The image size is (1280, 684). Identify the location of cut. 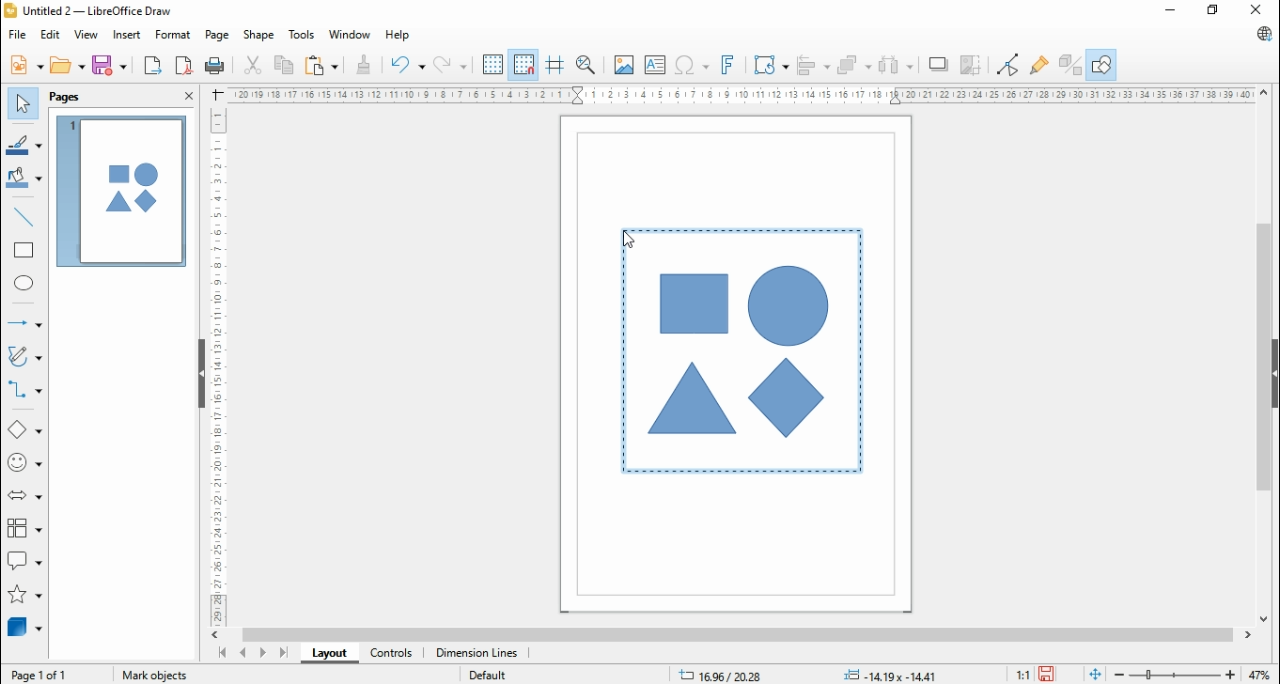
(252, 65).